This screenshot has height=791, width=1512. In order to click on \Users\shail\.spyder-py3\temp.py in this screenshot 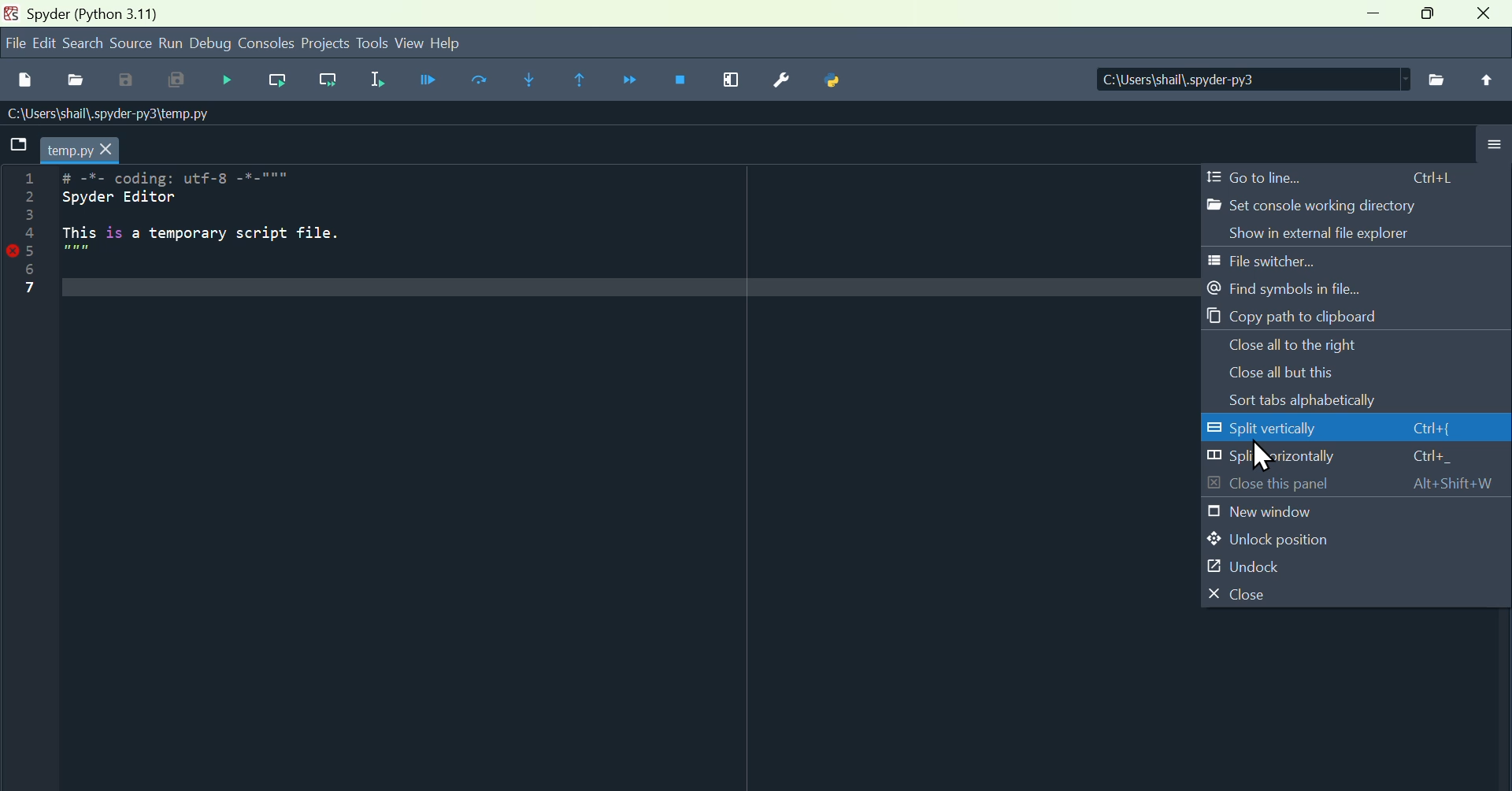, I will do `click(115, 117)`.